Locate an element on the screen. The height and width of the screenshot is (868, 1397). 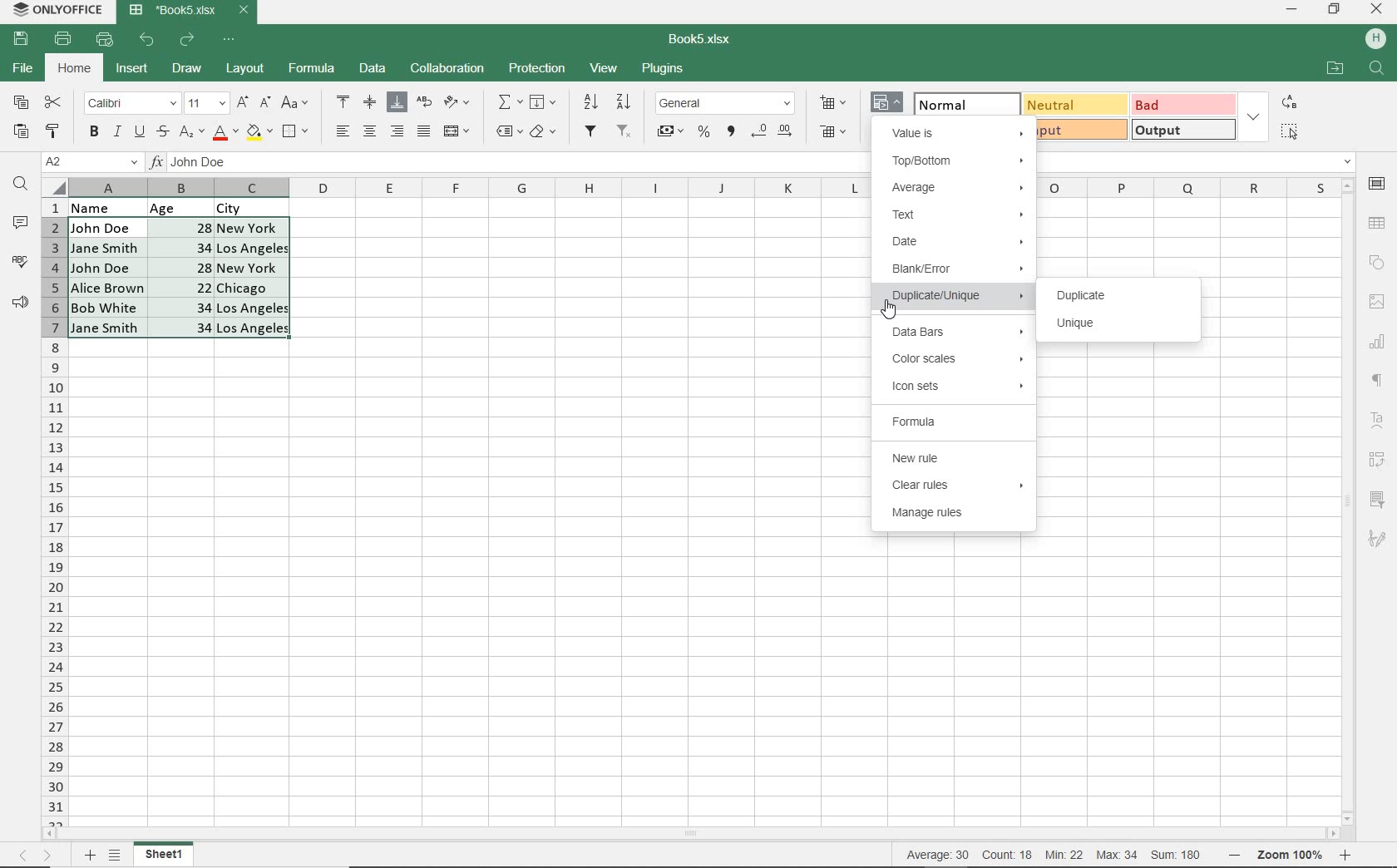
CONDITIONAL FORMATTING is located at coordinates (888, 104).